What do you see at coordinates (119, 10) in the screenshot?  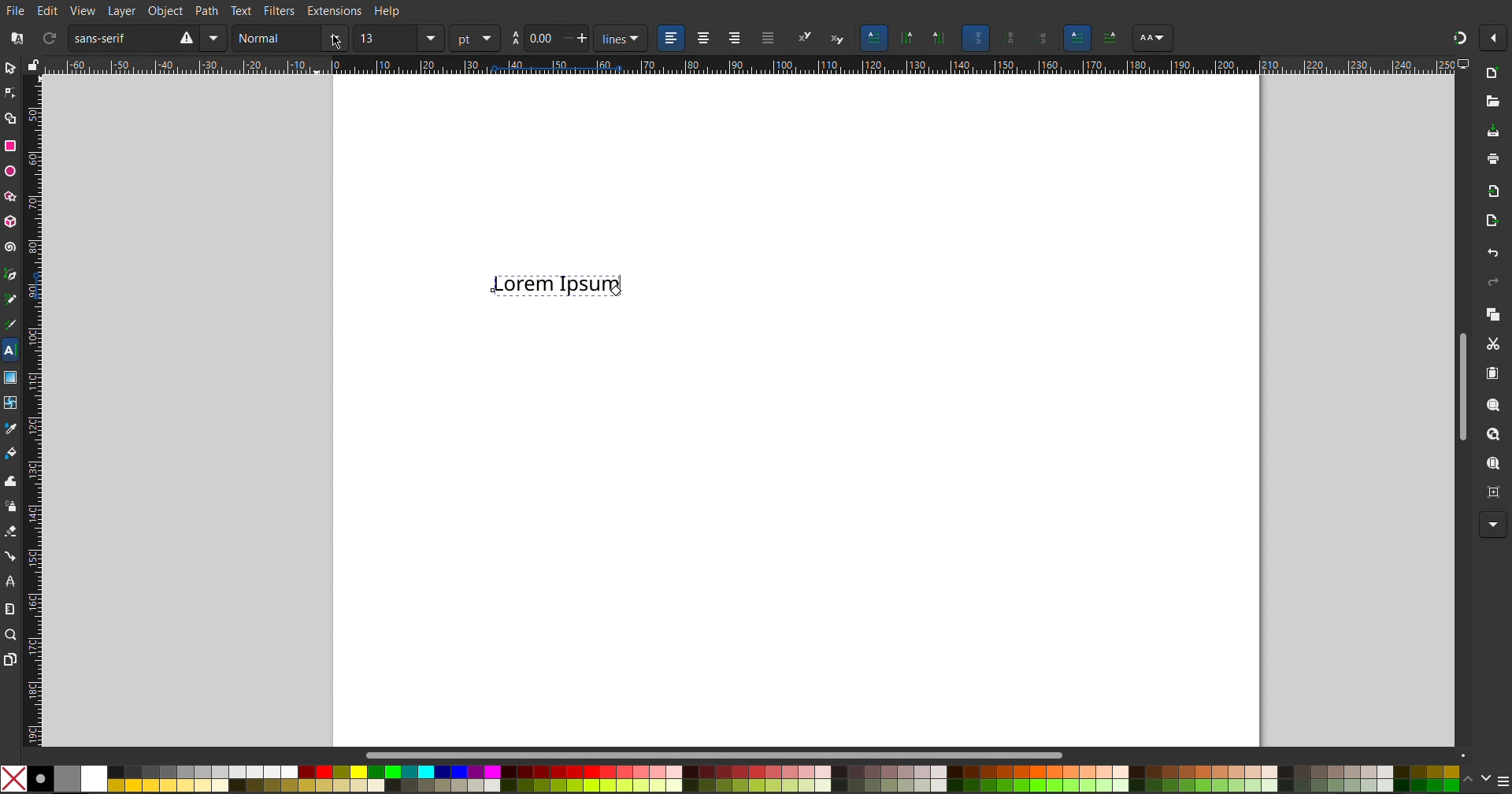 I see `Layer` at bounding box center [119, 10].